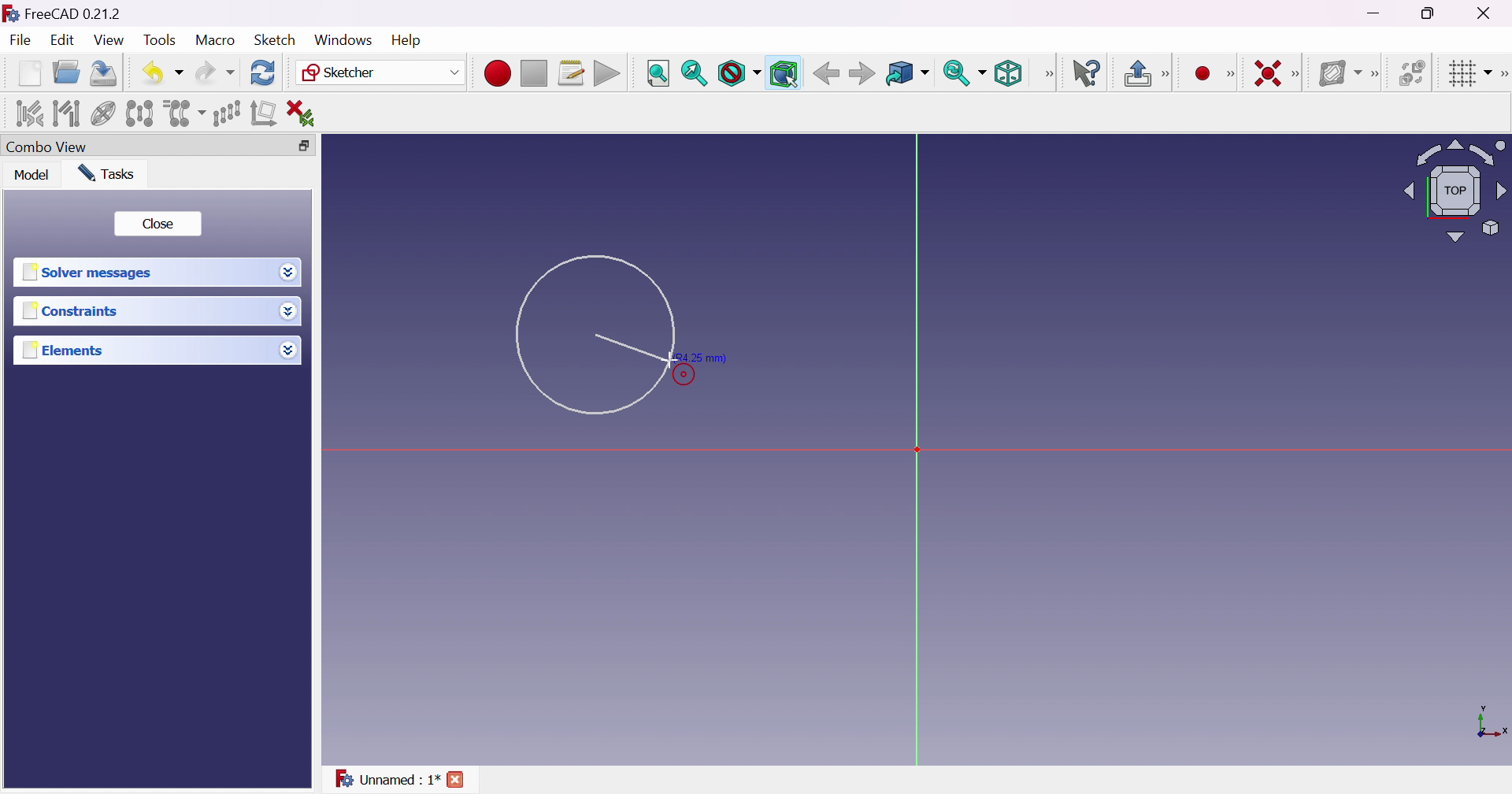 This screenshot has height=794, width=1512. I want to click on Minimize, so click(1374, 13).